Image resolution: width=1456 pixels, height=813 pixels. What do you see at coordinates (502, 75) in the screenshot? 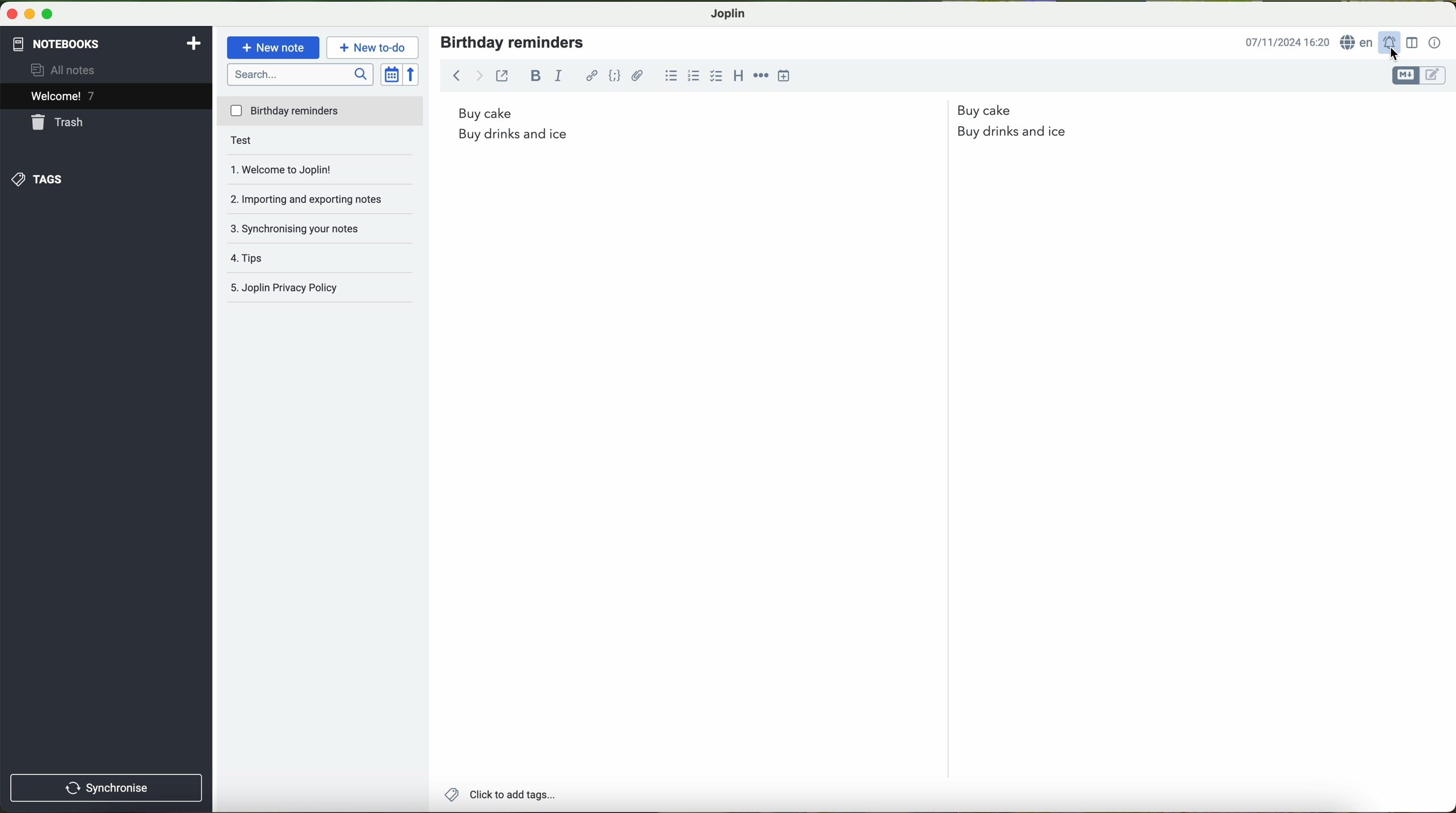
I see `toggle external editing` at bounding box center [502, 75].